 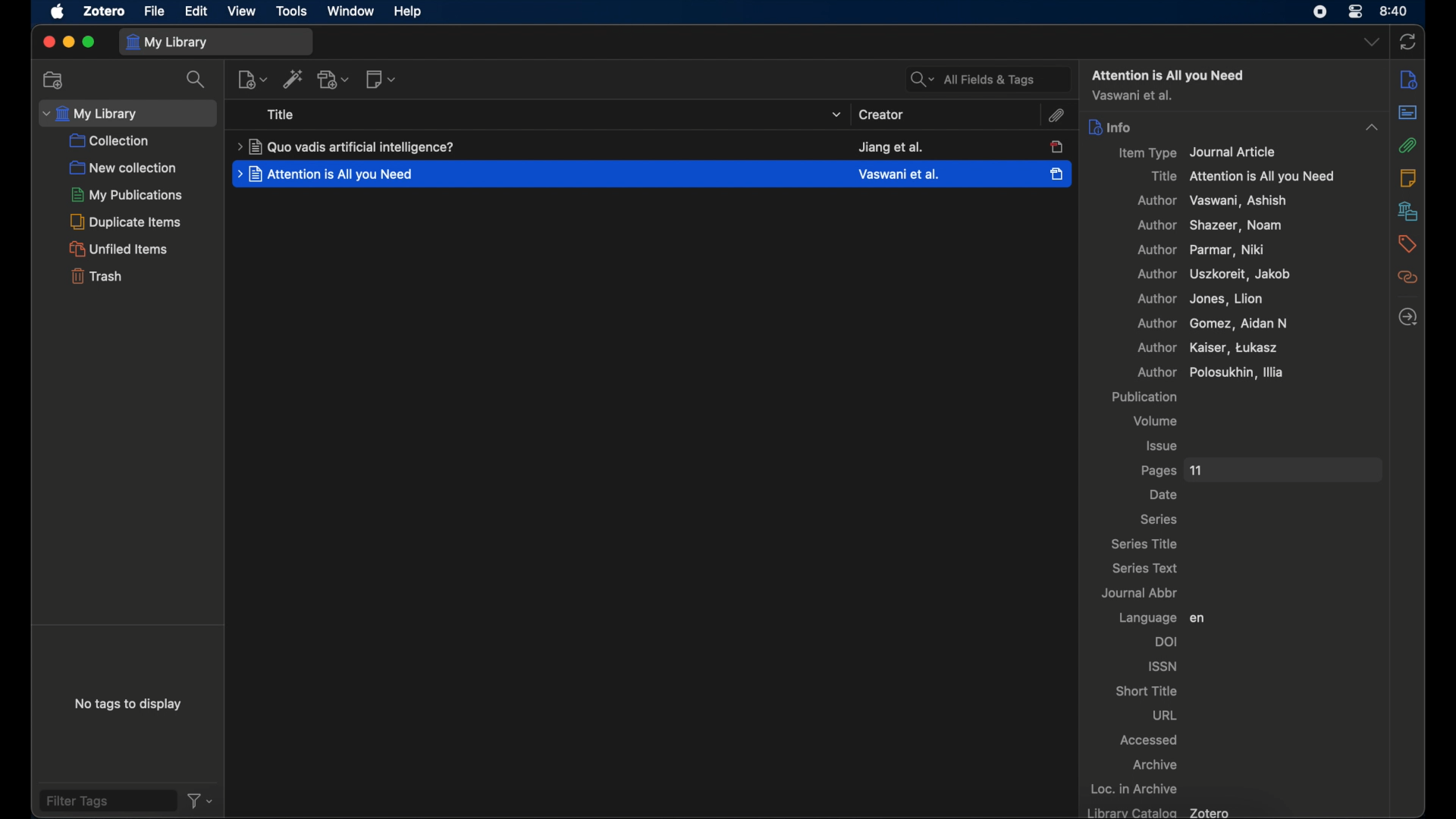 What do you see at coordinates (891, 146) in the screenshot?
I see `creator name` at bounding box center [891, 146].